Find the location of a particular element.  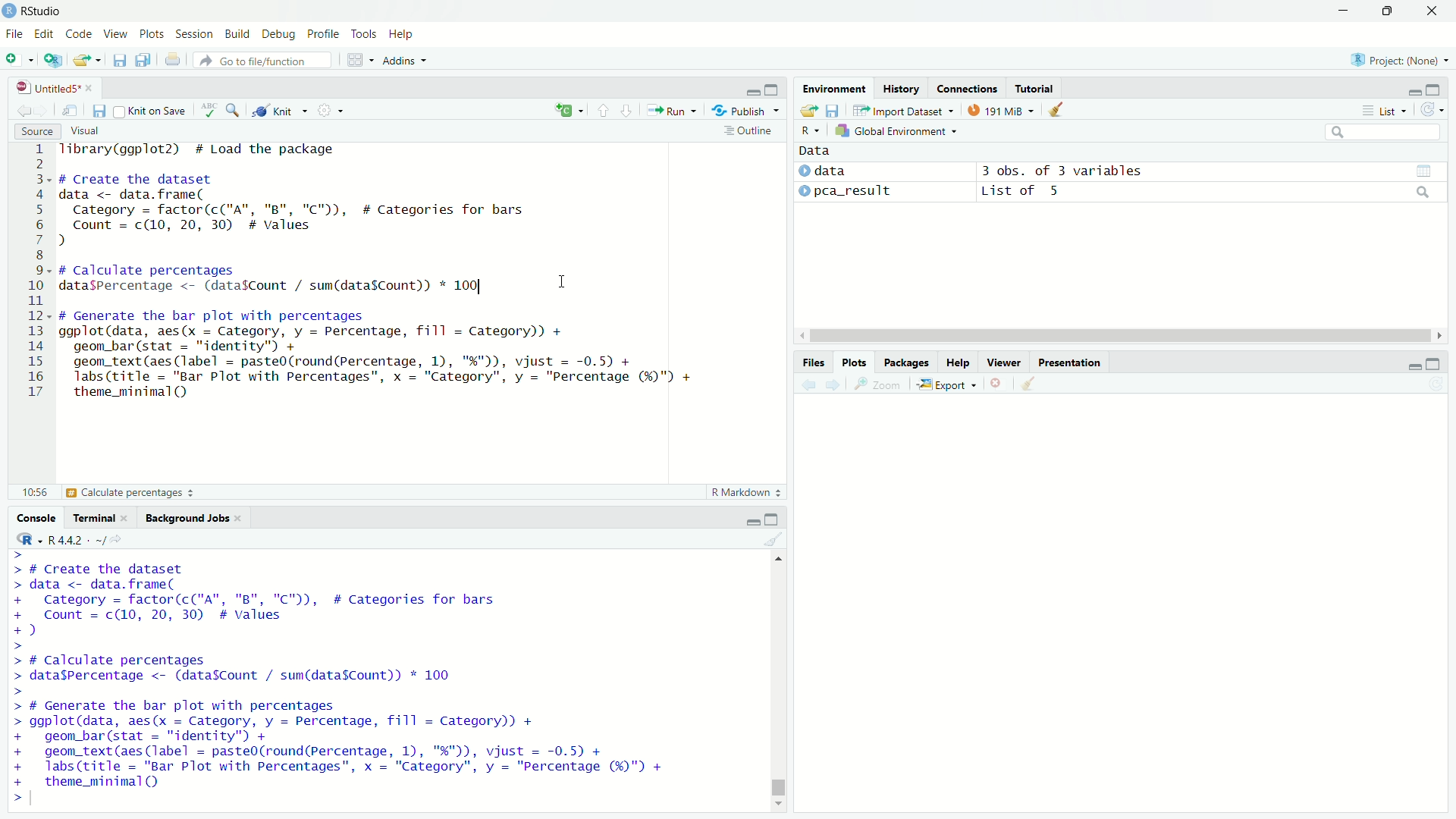

R markdown is located at coordinates (742, 493).